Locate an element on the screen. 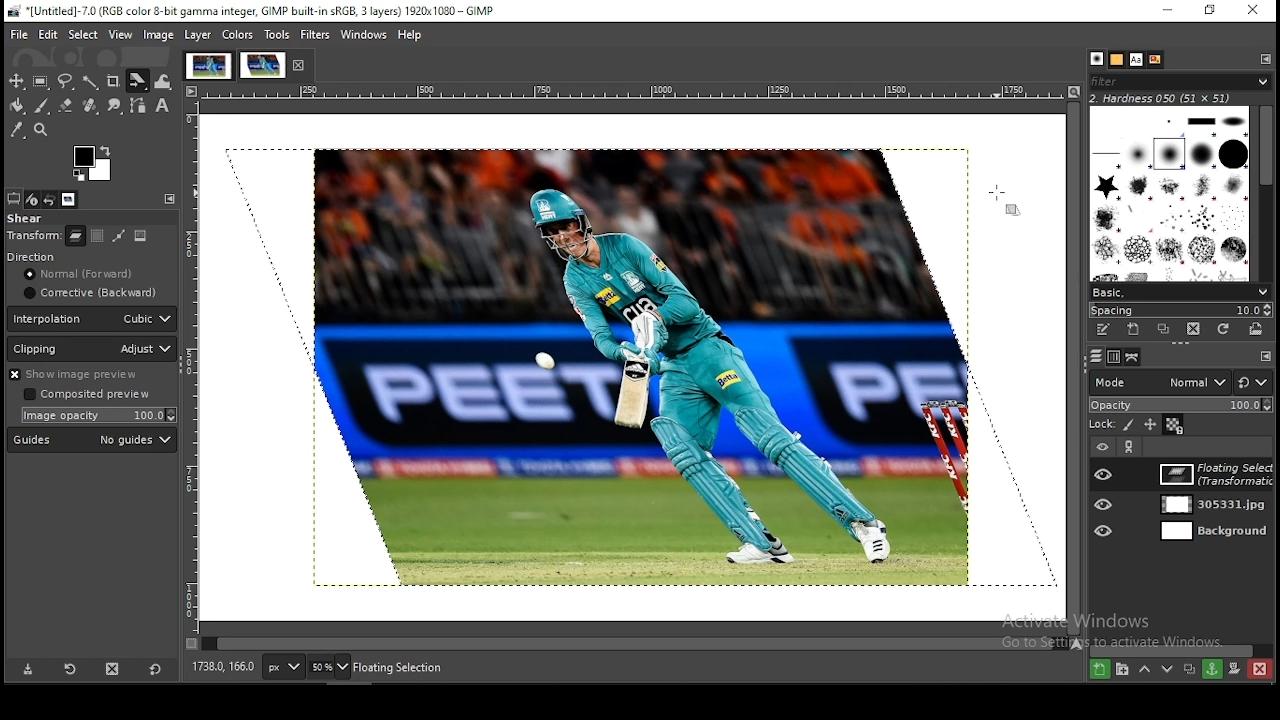 The height and width of the screenshot is (720, 1280). shear is located at coordinates (26, 219).